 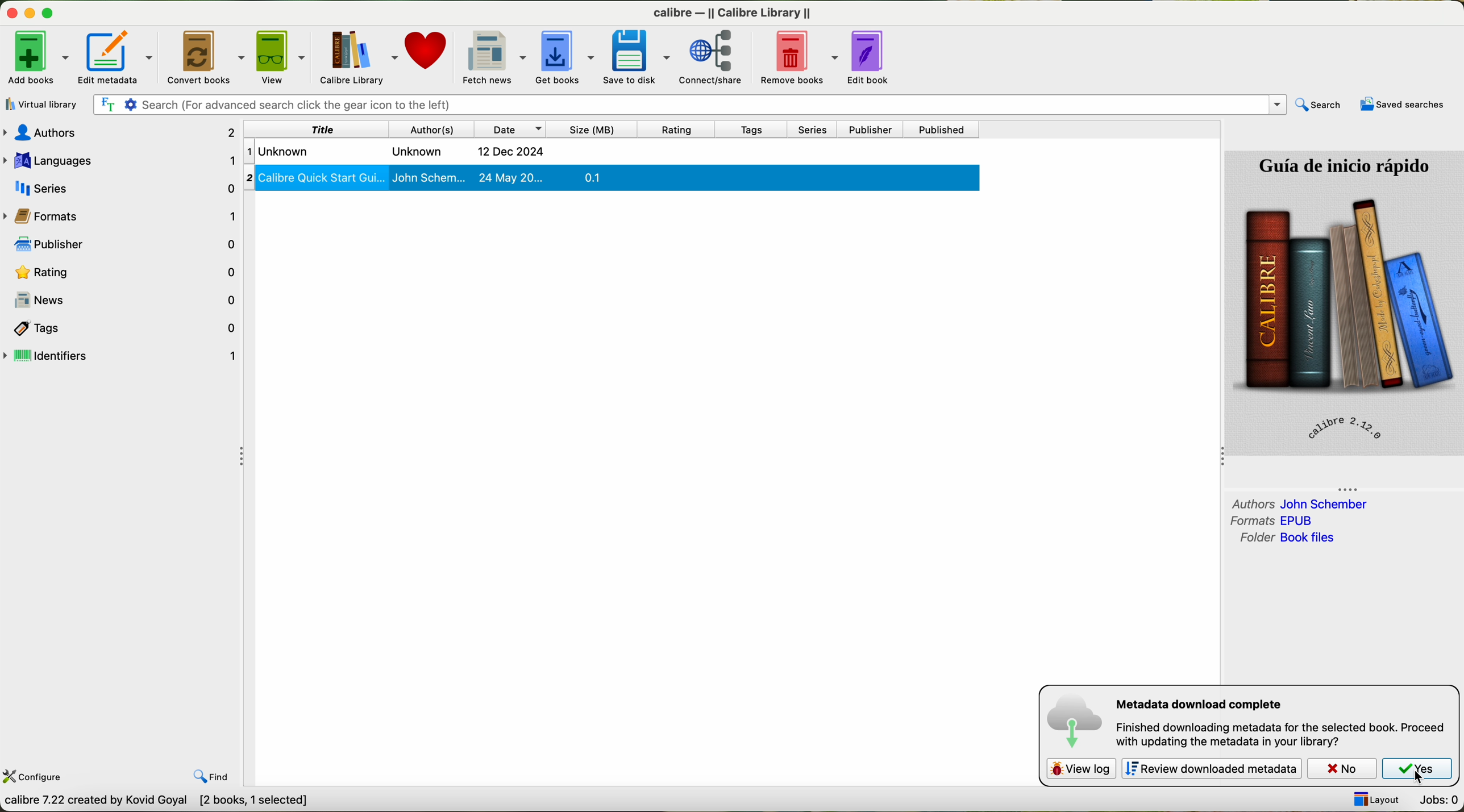 I want to click on layout, so click(x=1377, y=798).